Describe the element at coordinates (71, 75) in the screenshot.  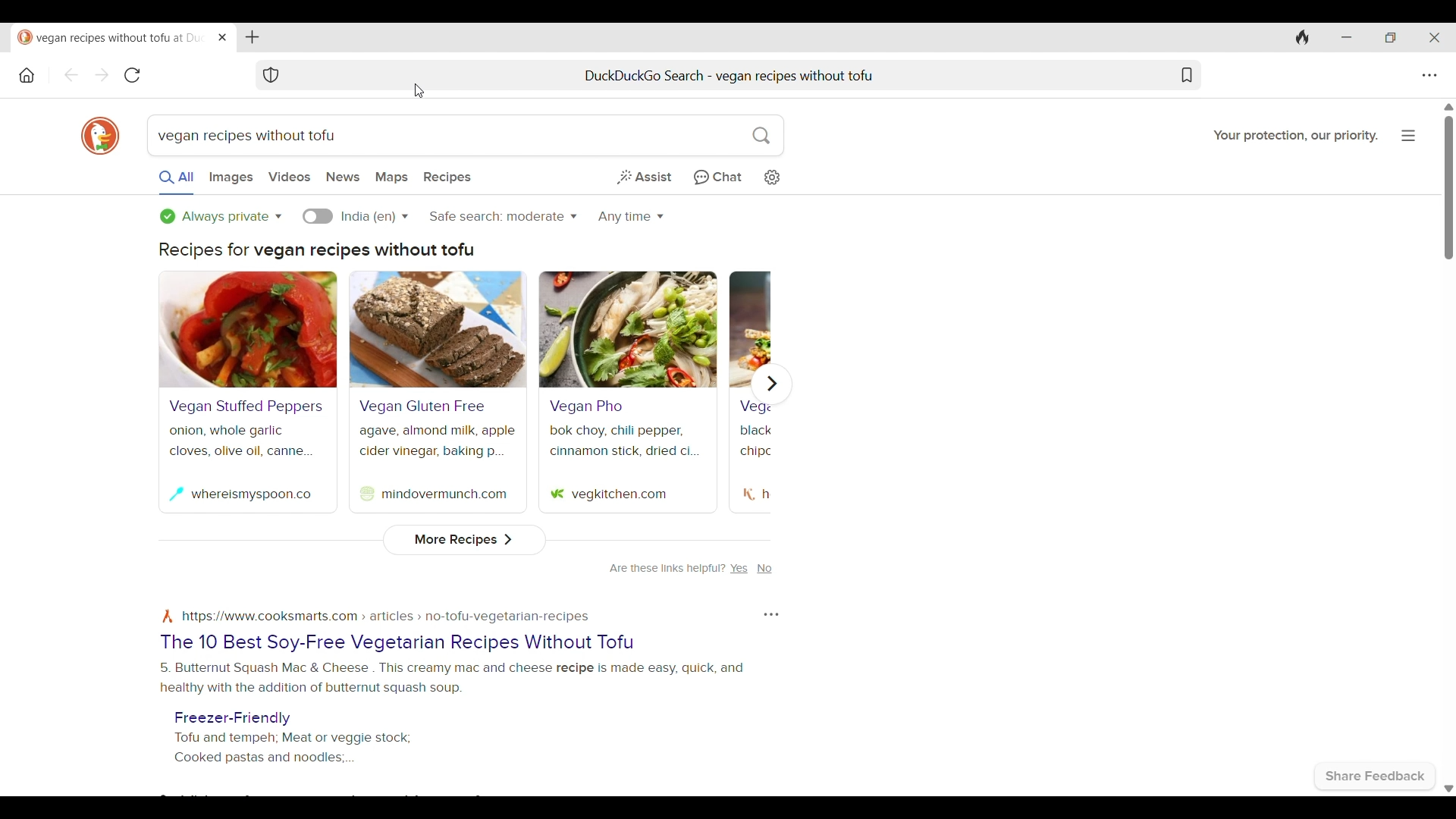
I see `Go back` at that location.